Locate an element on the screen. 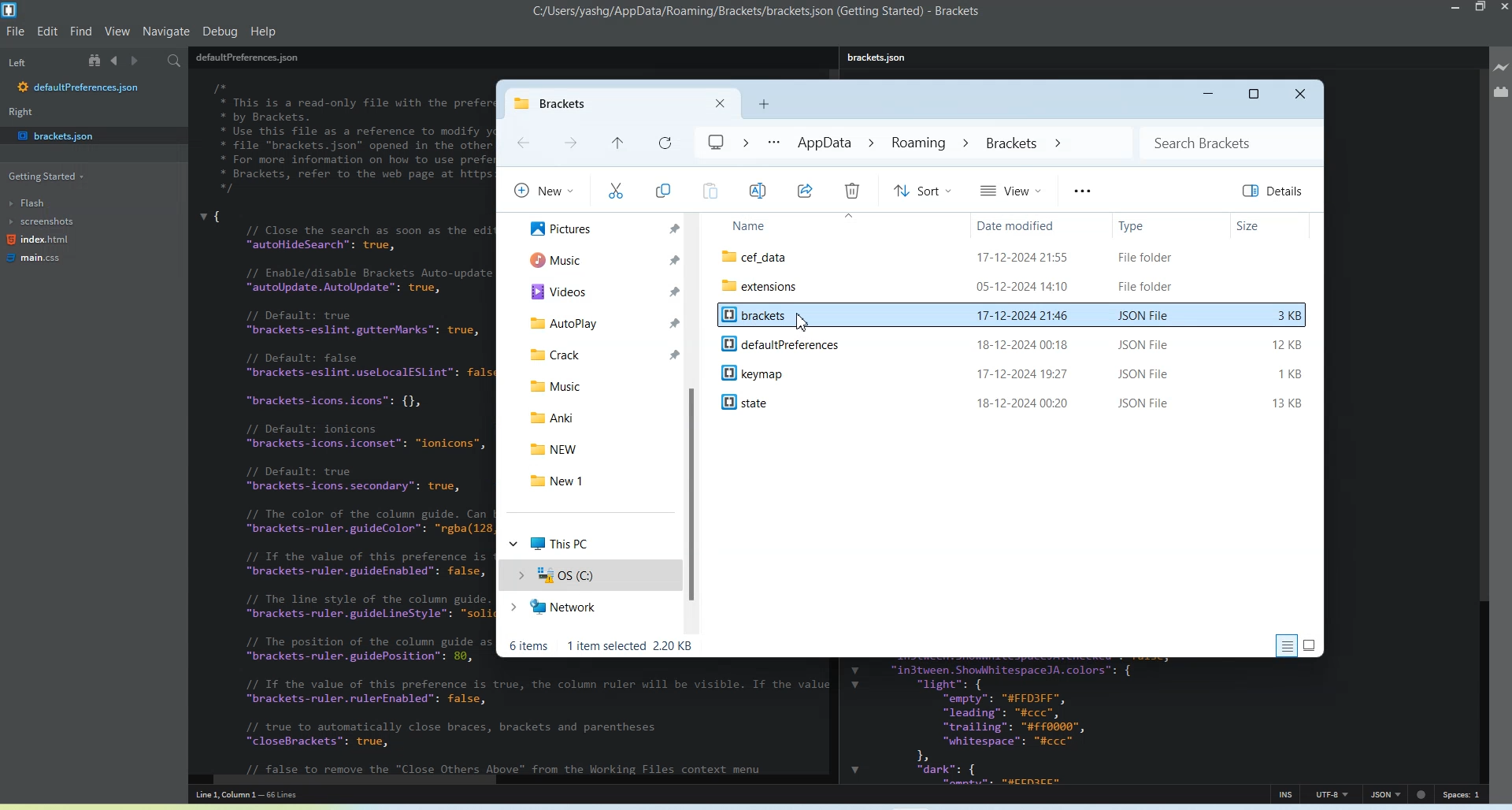  Left is located at coordinates (17, 62).